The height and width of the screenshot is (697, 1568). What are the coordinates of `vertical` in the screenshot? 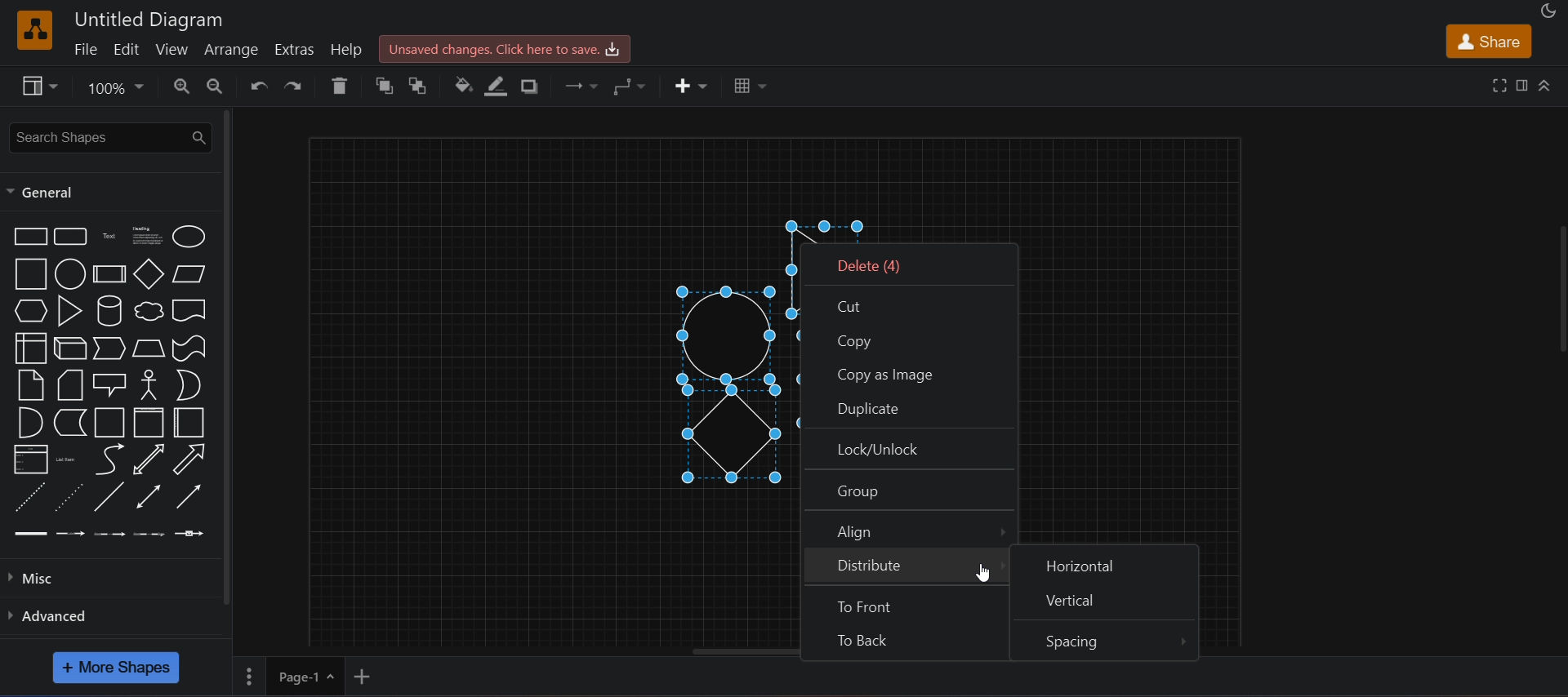 It's located at (1104, 604).